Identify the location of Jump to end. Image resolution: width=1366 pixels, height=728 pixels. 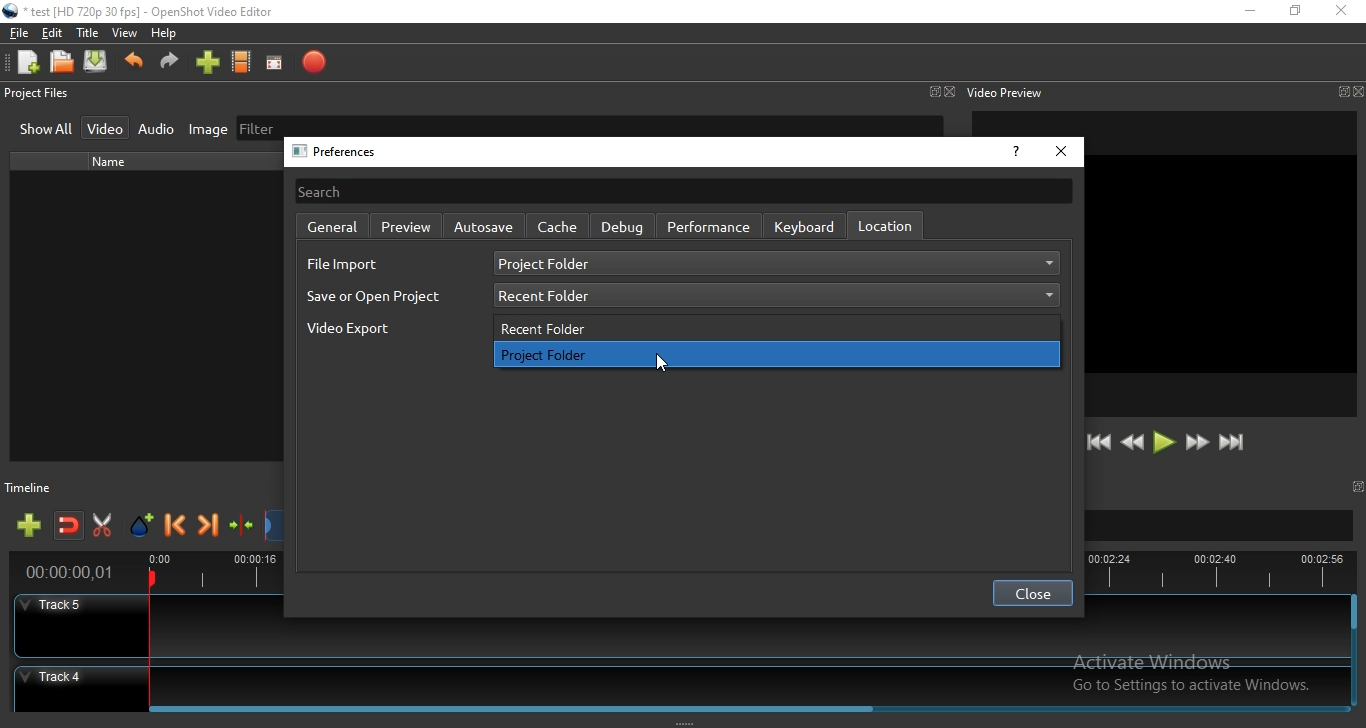
(1233, 443).